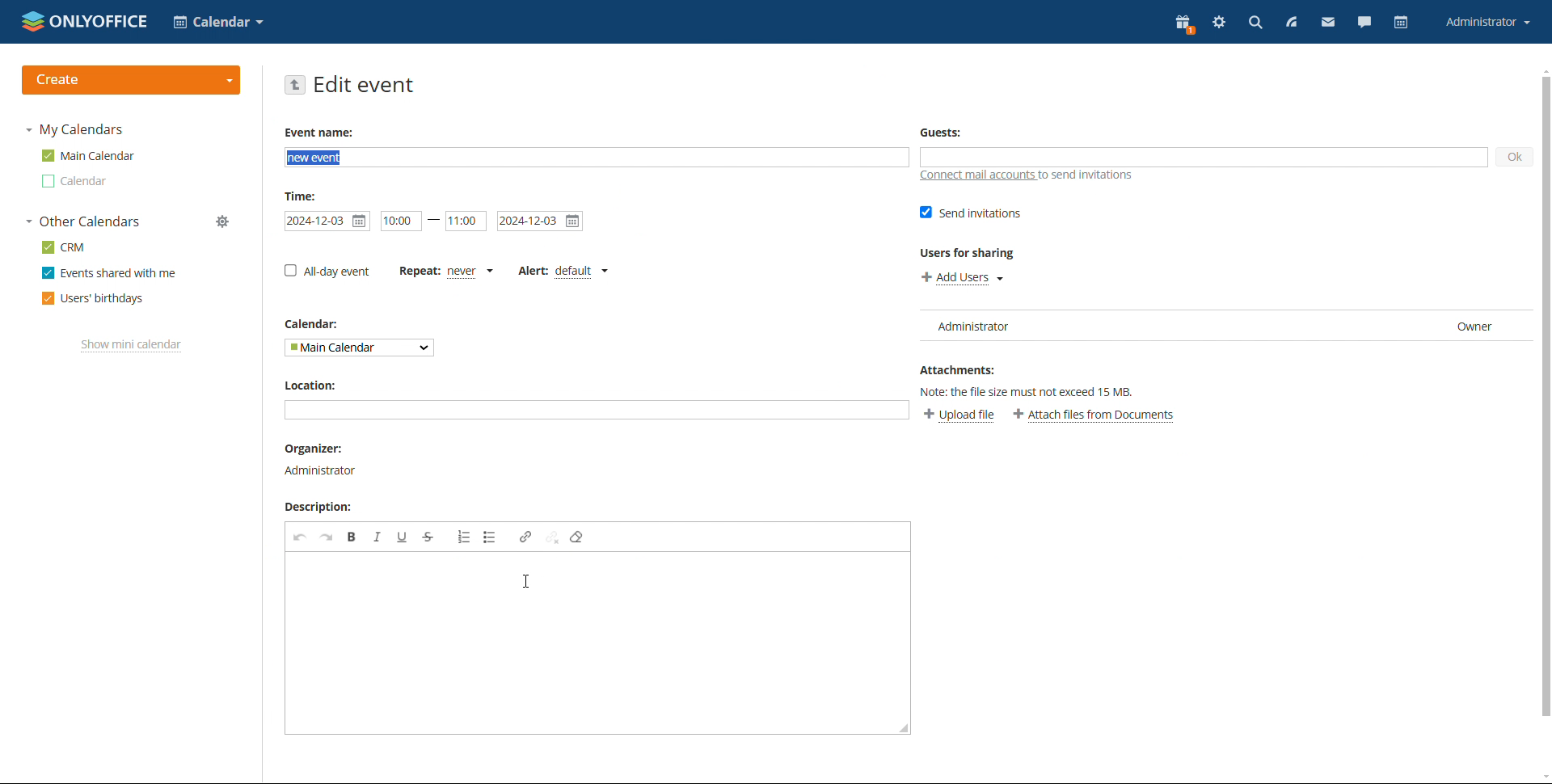 This screenshot has height=784, width=1552. I want to click on redo, so click(327, 537).